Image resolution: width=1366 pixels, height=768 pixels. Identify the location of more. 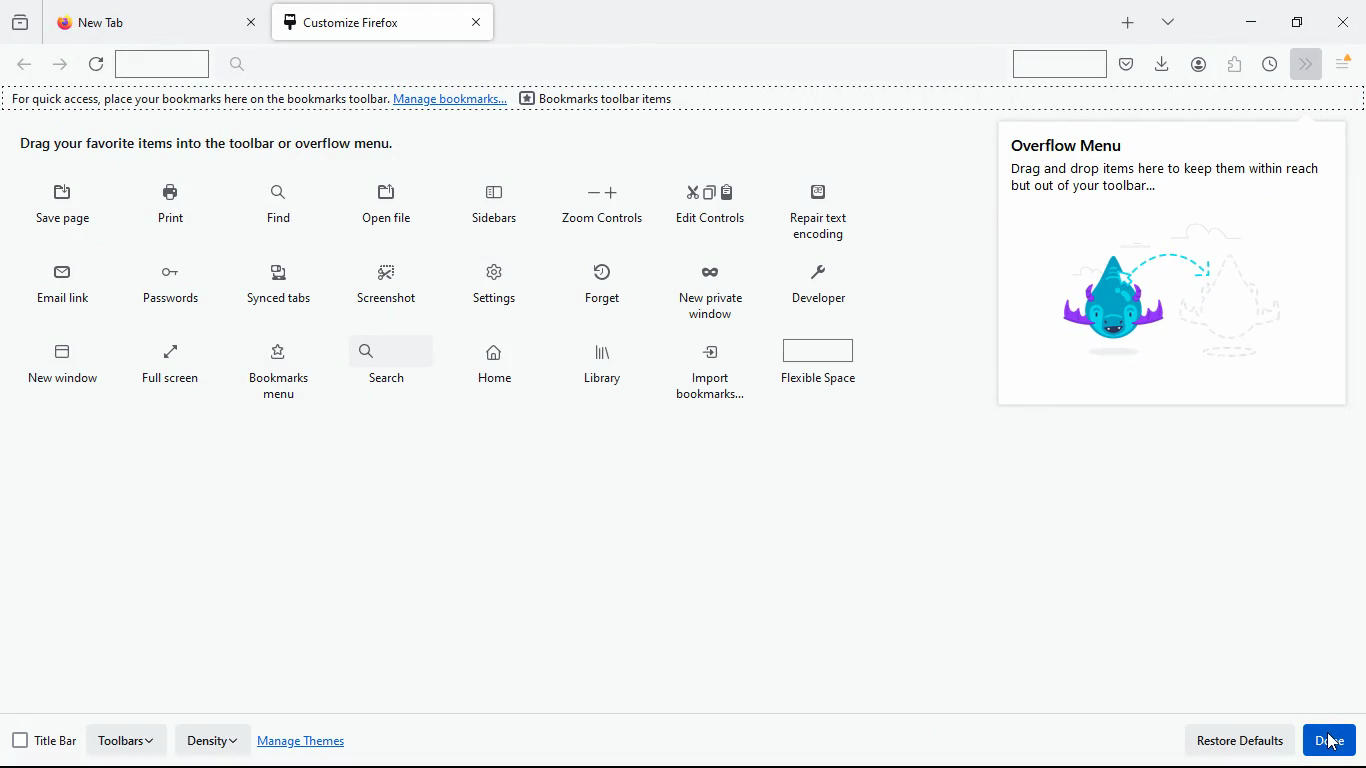
(1165, 21).